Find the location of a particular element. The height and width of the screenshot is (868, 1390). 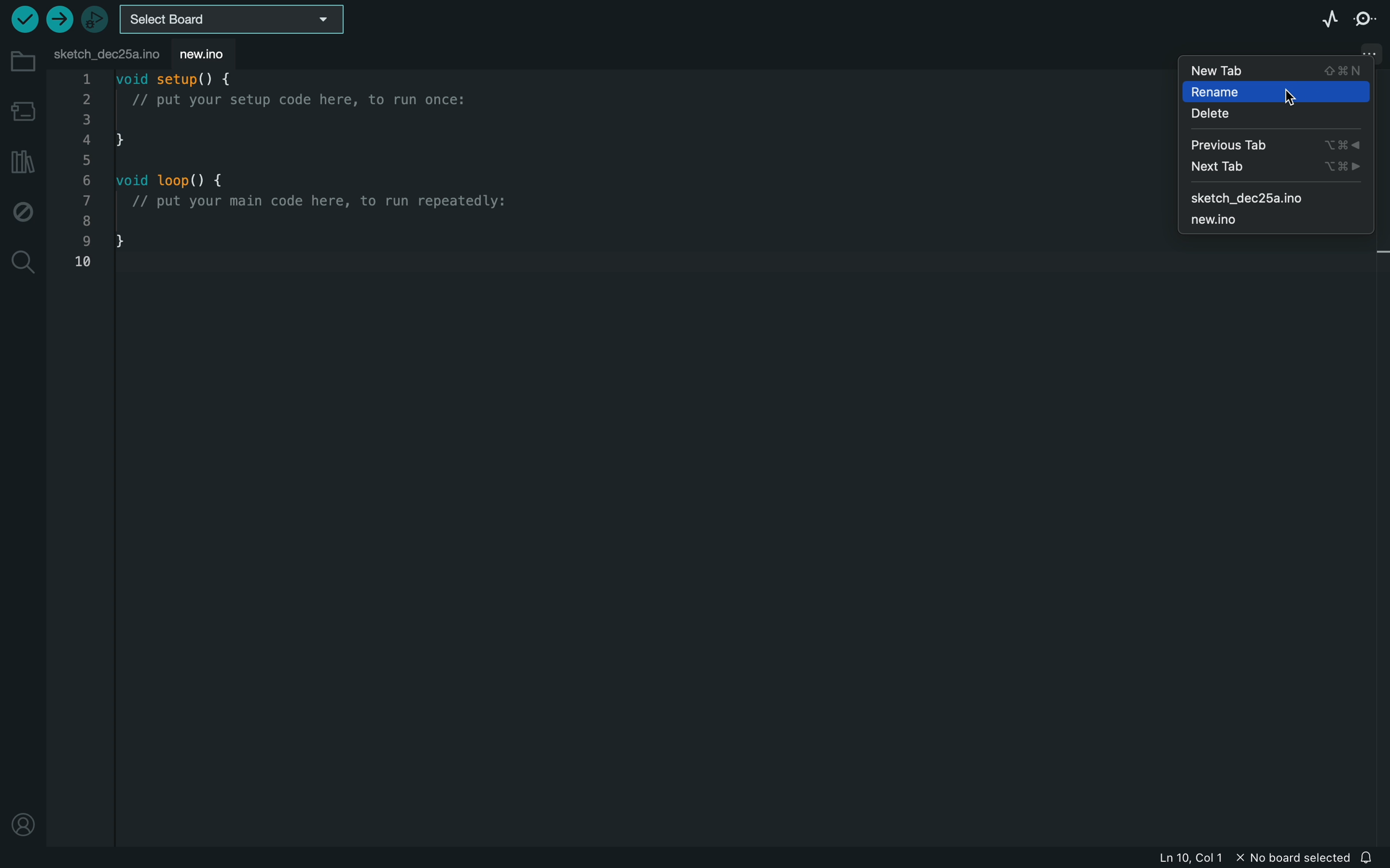

folder is located at coordinates (21, 61).